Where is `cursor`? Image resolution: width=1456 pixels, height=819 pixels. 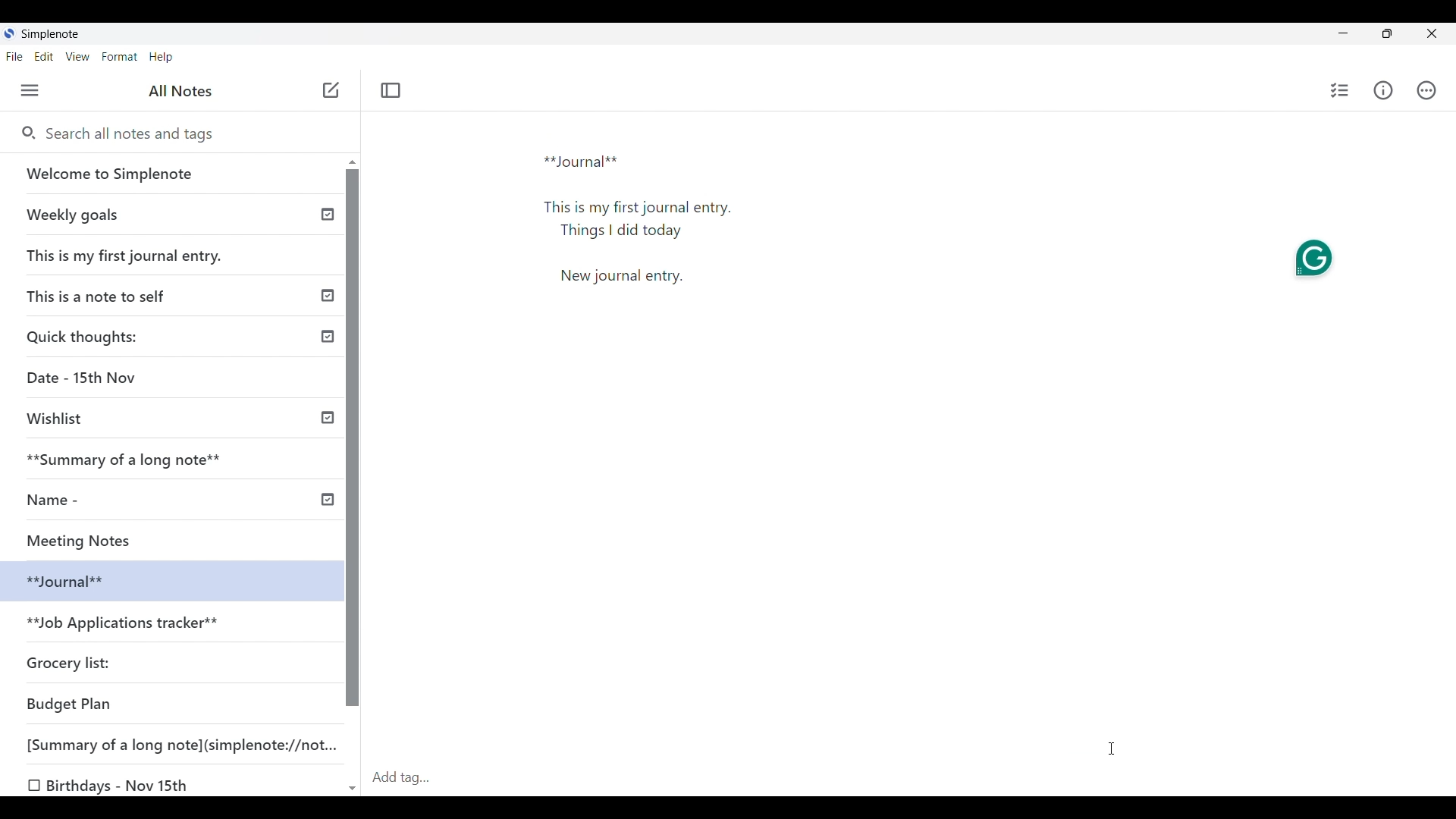
cursor is located at coordinates (1112, 745).